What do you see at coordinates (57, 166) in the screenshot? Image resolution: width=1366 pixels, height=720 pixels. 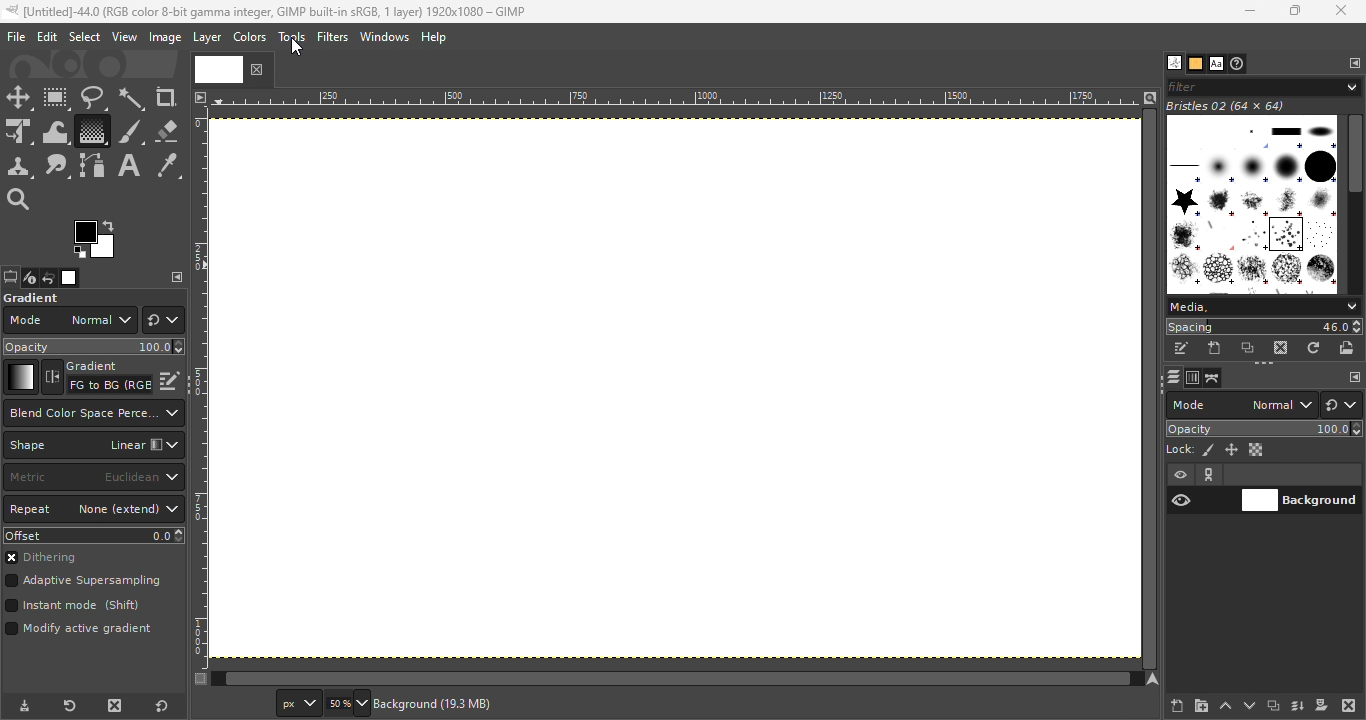 I see `Smudge tool` at bounding box center [57, 166].